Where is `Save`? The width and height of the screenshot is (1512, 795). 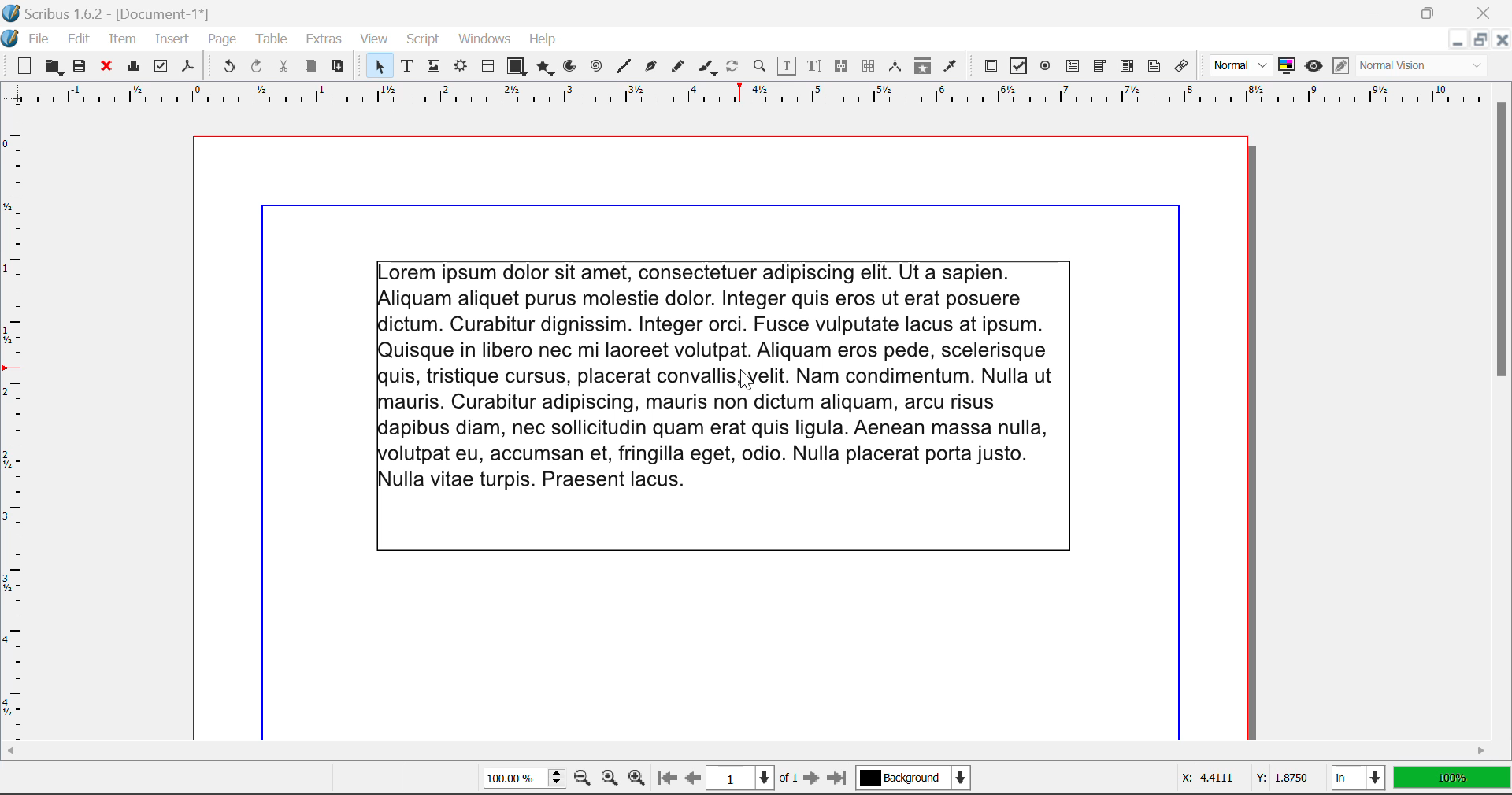
Save is located at coordinates (81, 67).